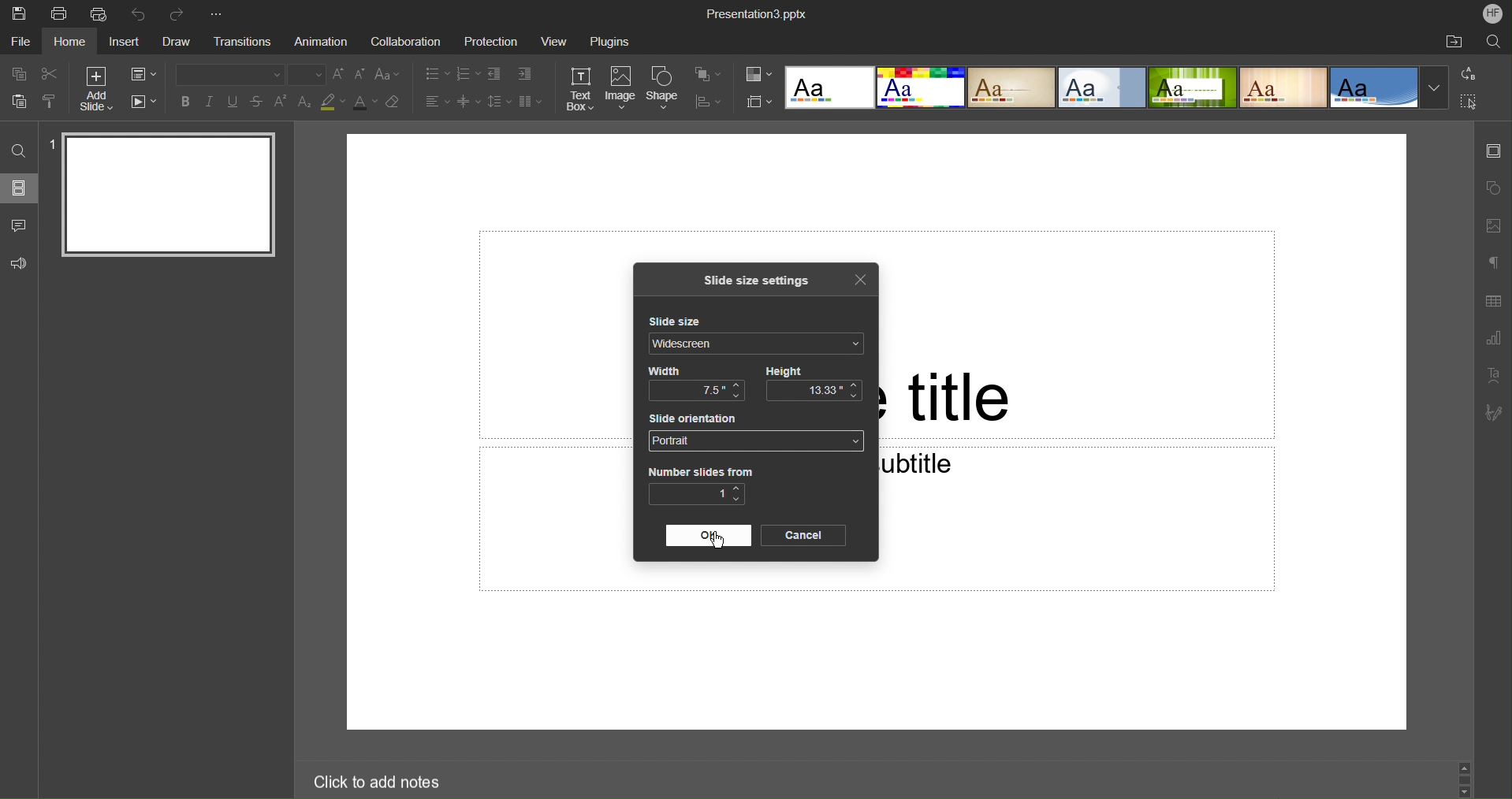 The height and width of the screenshot is (799, 1512). Describe the element at coordinates (164, 196) in the screenshot. I see `Slide 1` at that location.